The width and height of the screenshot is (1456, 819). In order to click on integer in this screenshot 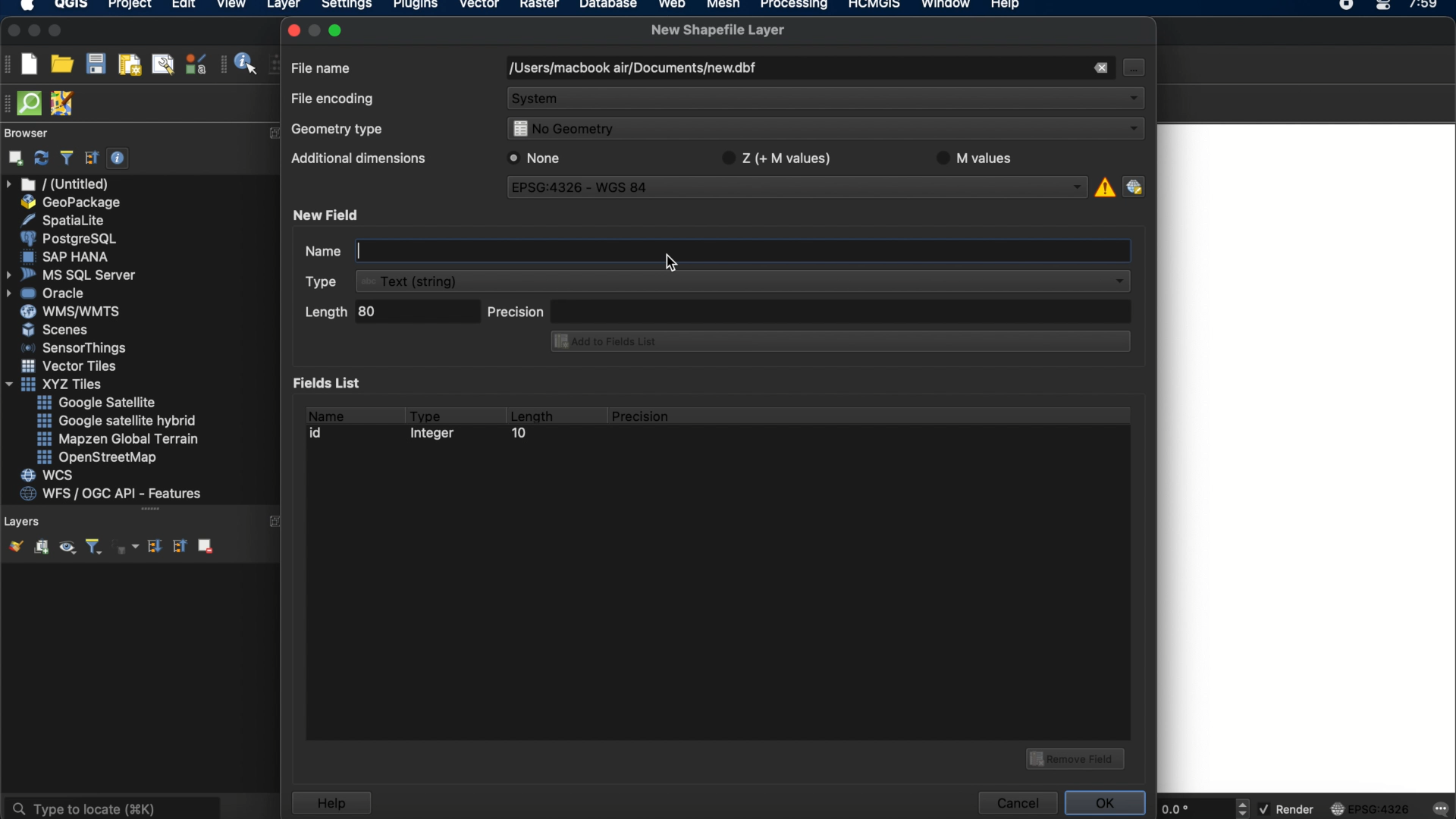, I will do `click(436, 435)`.